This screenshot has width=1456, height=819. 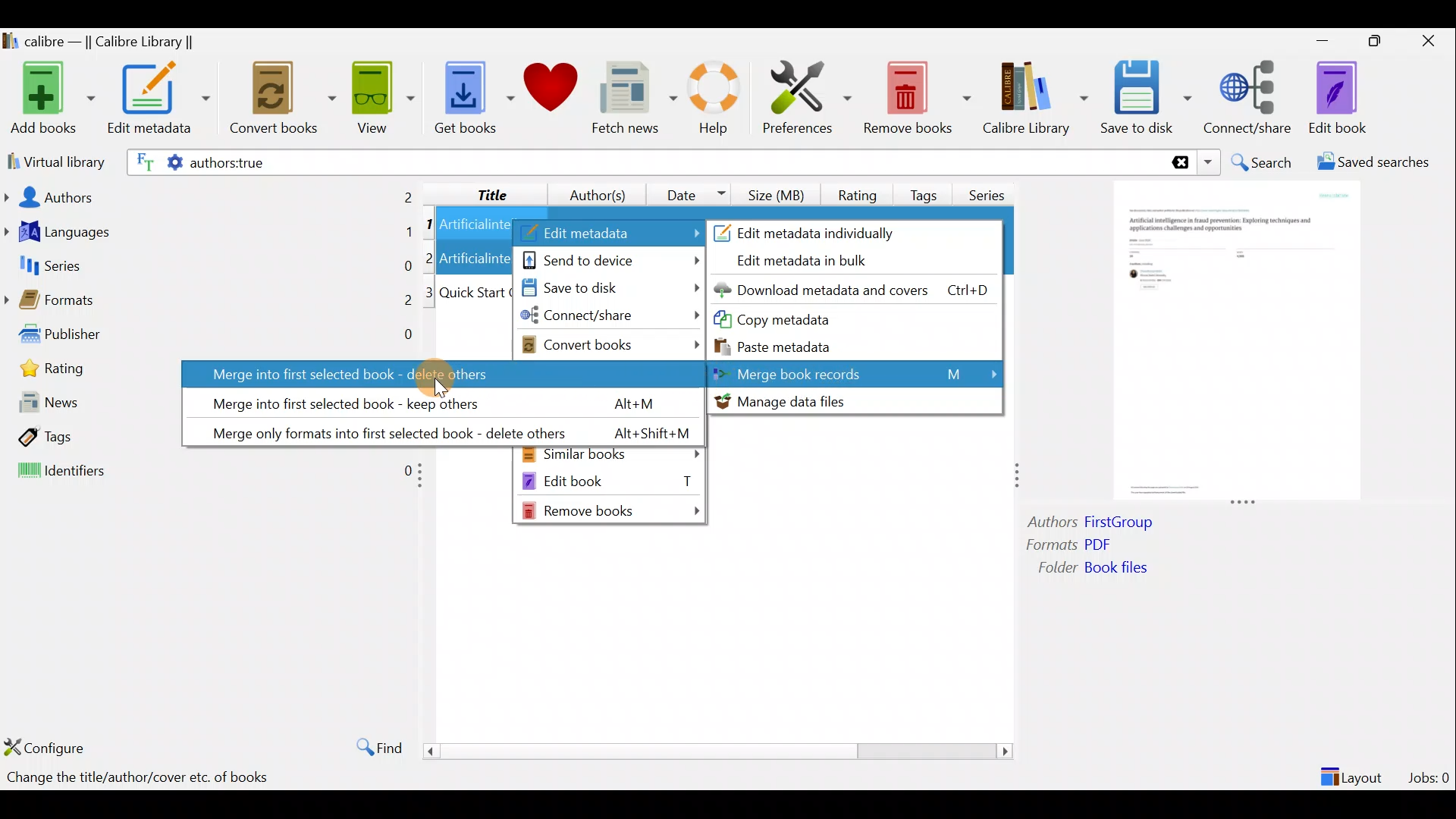 What do you see at coordinates (372, 746) in the screenshot?
I see `Find` at bounding box center [372, 746].